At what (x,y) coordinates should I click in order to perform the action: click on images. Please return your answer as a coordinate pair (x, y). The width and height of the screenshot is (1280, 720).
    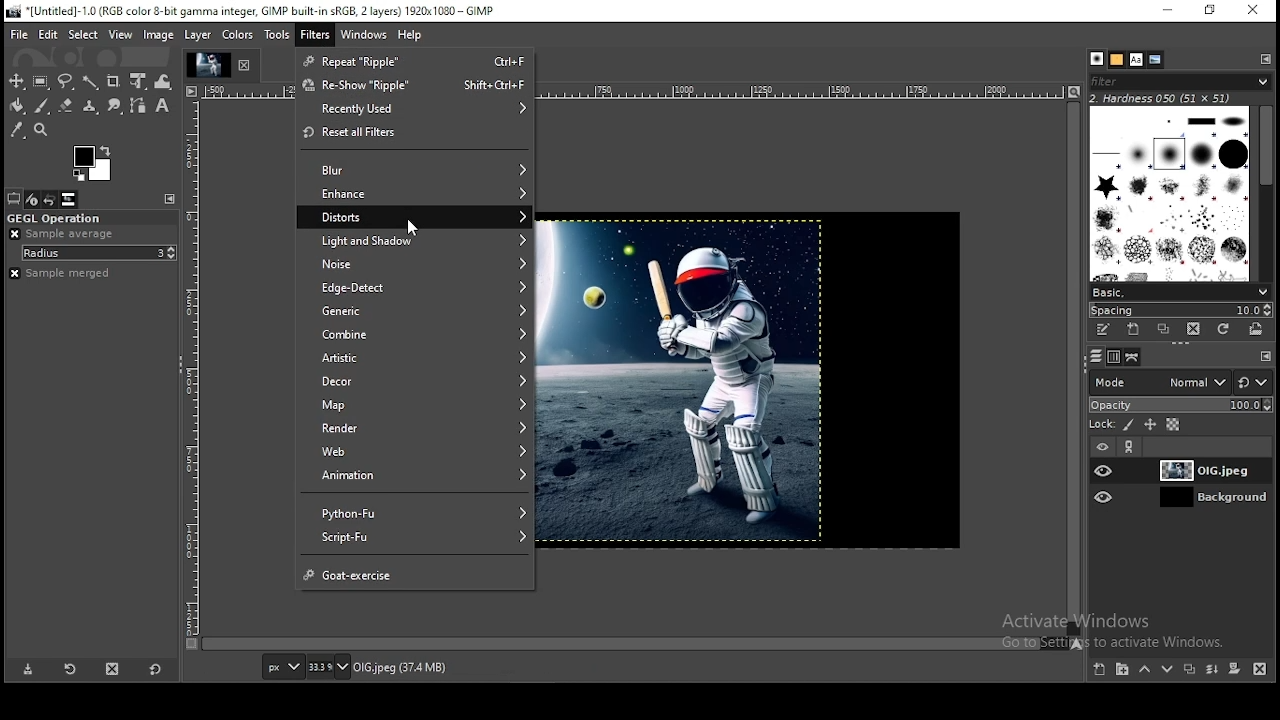
    Looking at the image, I should click on (69, 199).